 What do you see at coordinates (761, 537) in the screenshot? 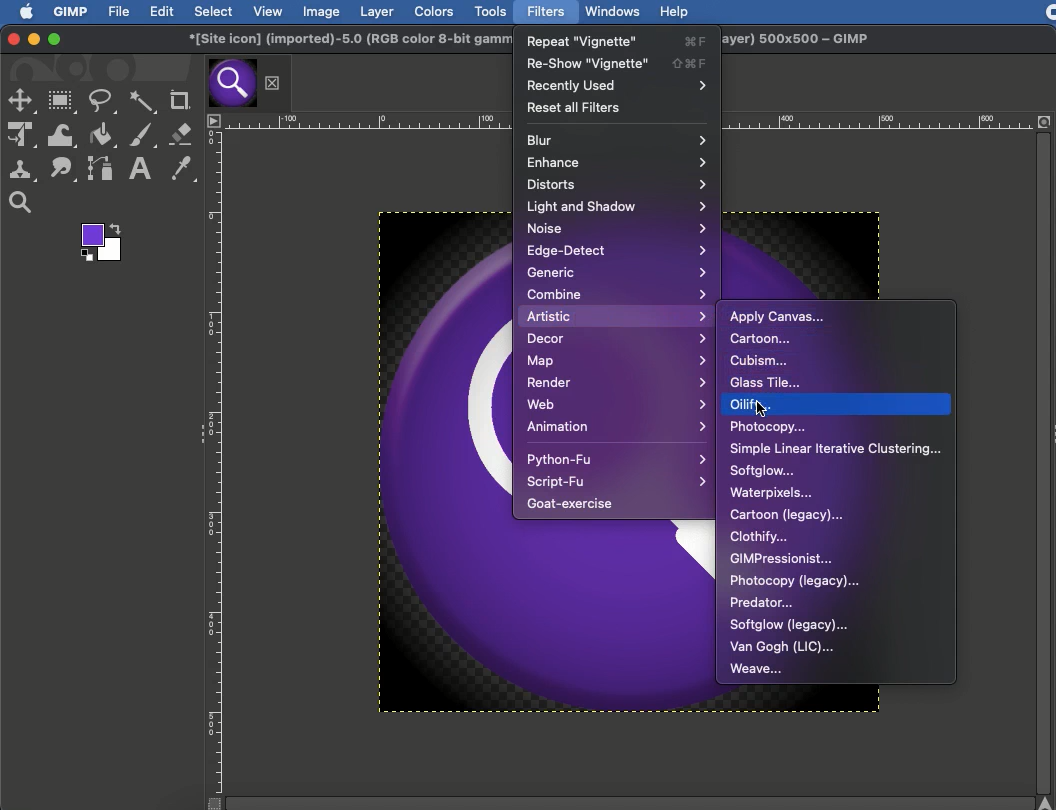
I see `Clothify` at bounding box center [761, 537].